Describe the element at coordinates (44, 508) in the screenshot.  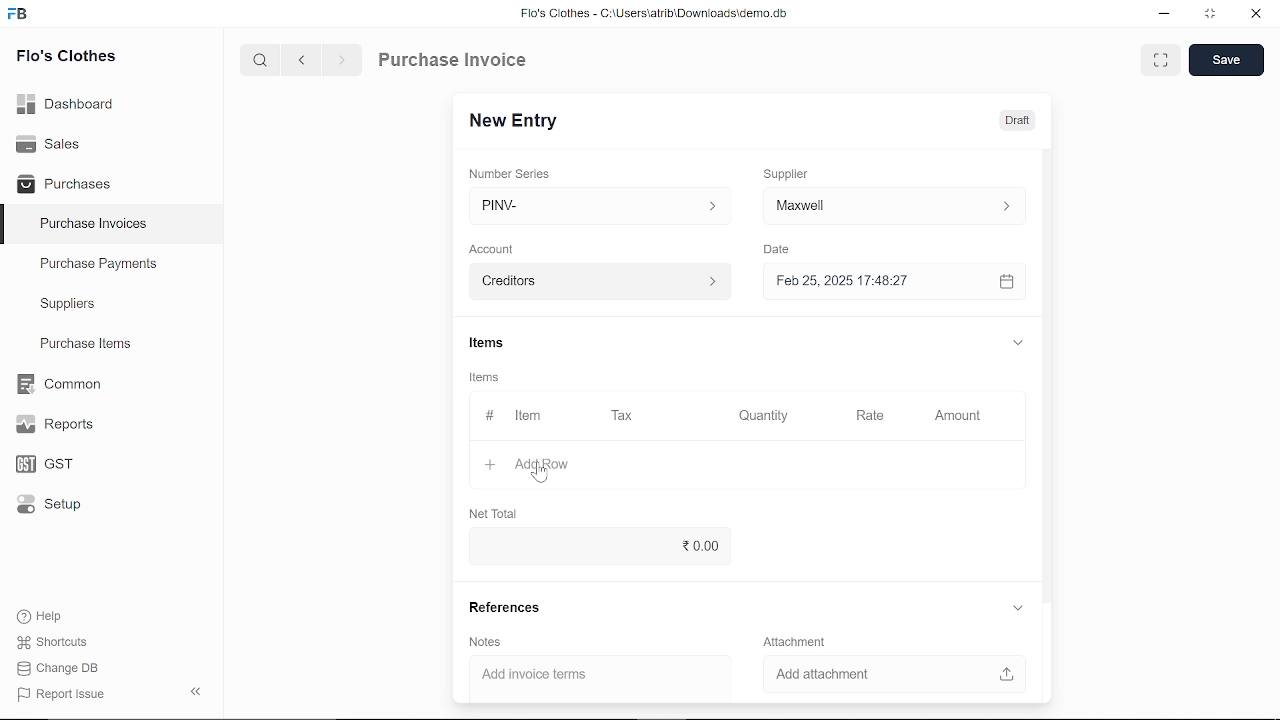
I see `Setup` at that location.